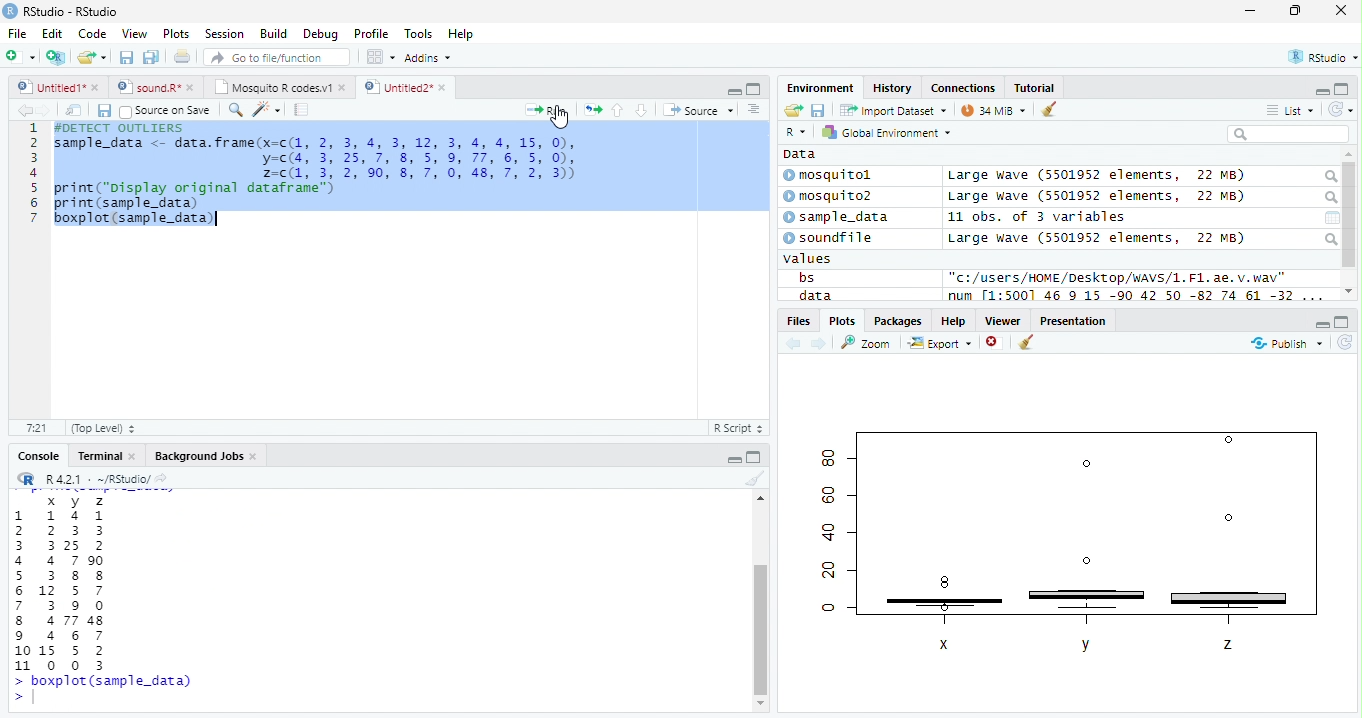 The image size is (1362, 718). Describe the element at coordinates (1329, 177) in the screenshot. I see `search` at that location.